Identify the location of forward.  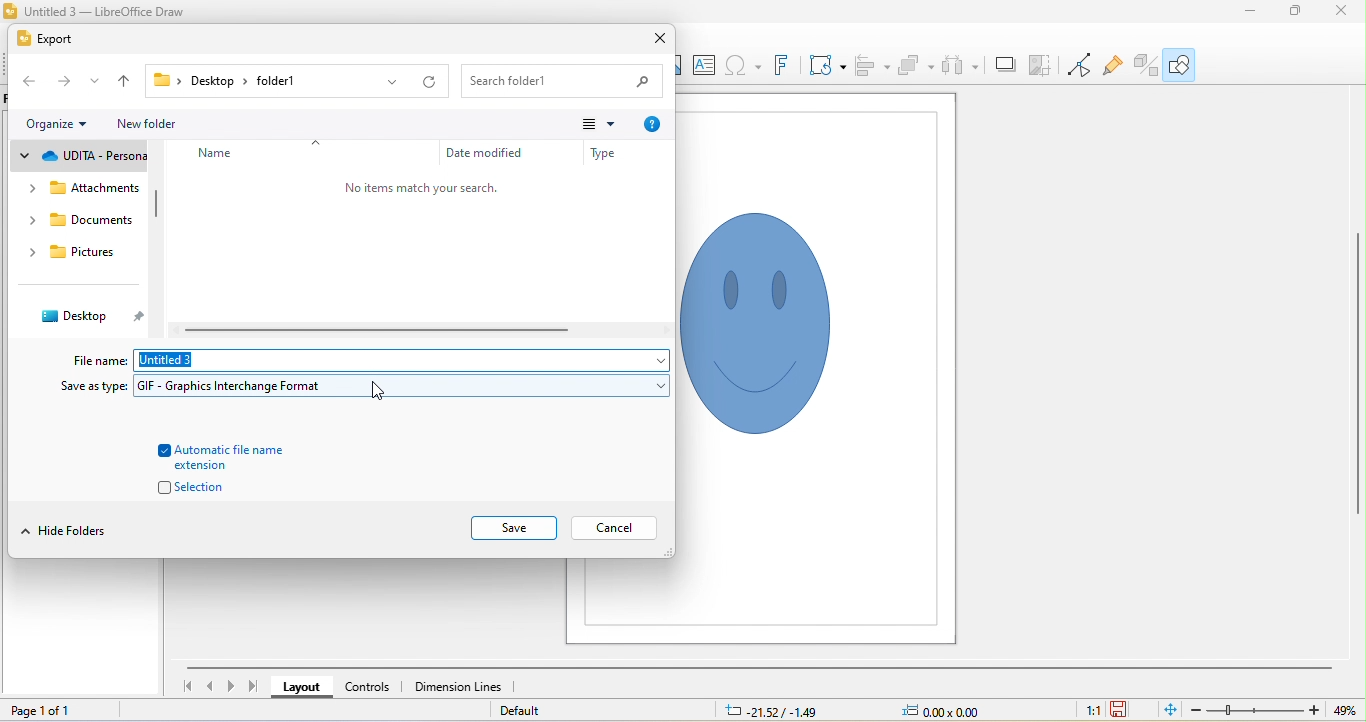
(61, 81).